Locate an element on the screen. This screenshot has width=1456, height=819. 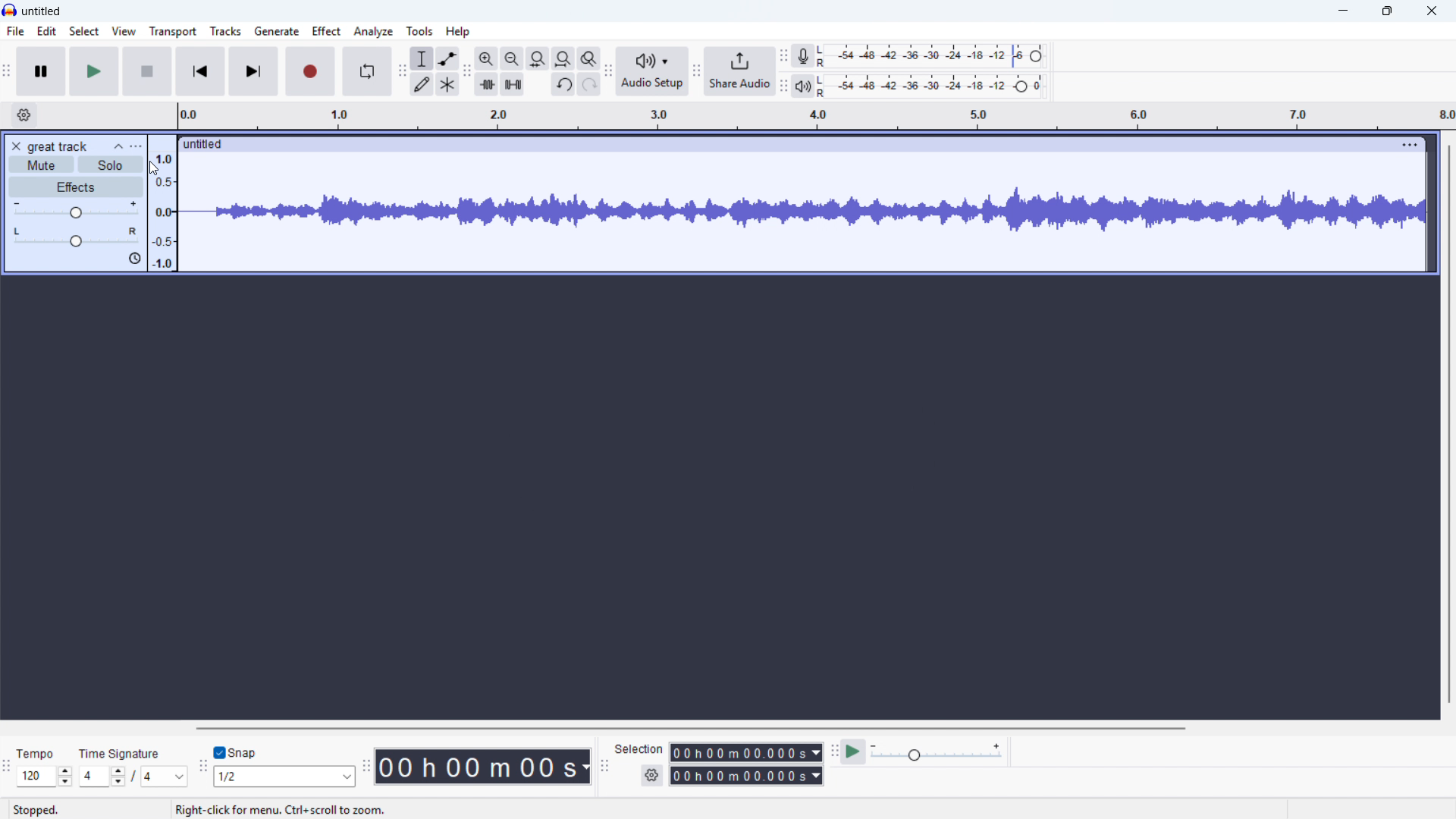
Record  is located at coordinates (310, 71).